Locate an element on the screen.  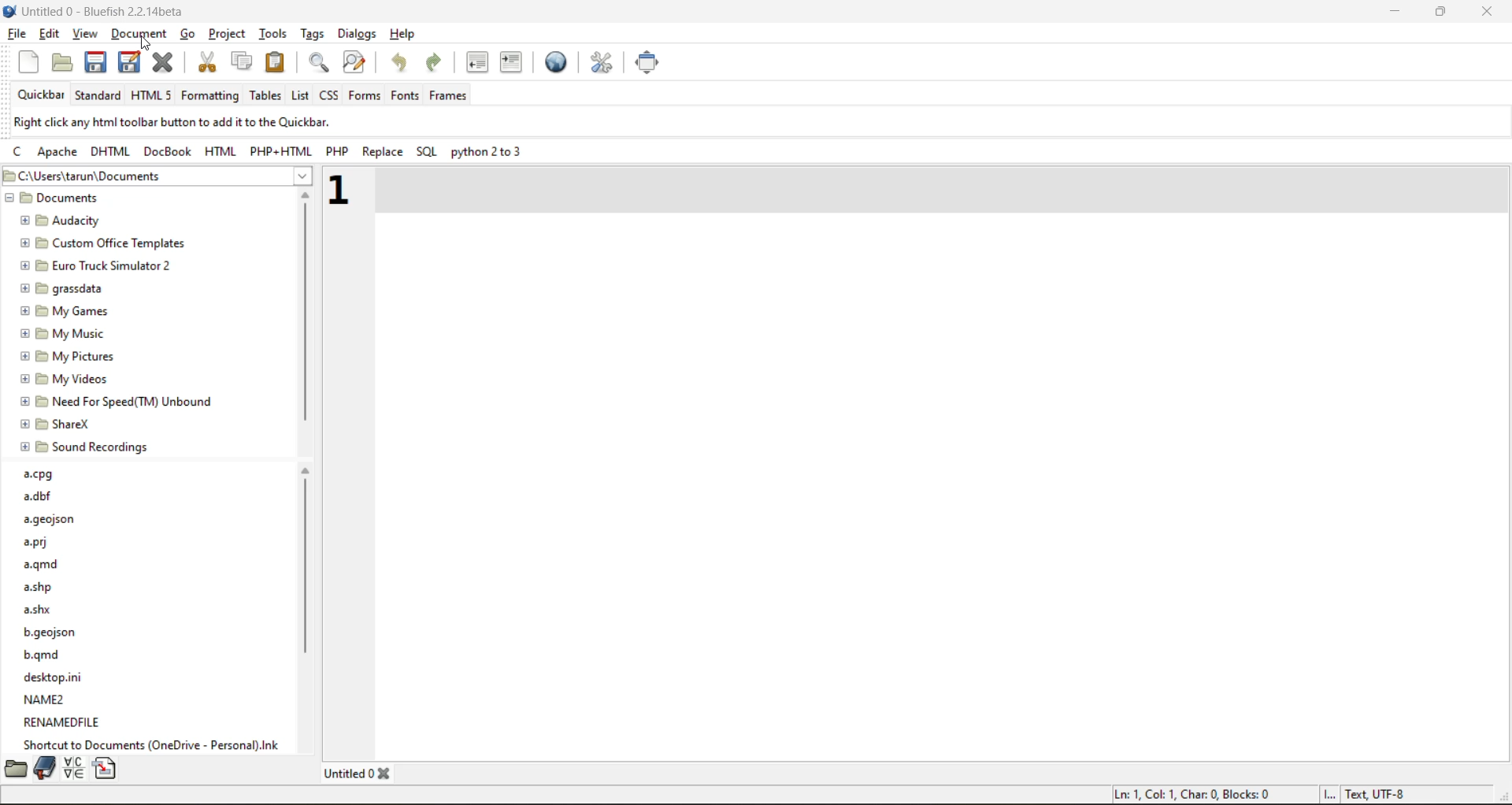
full screen is located at coordinates (655, 61).